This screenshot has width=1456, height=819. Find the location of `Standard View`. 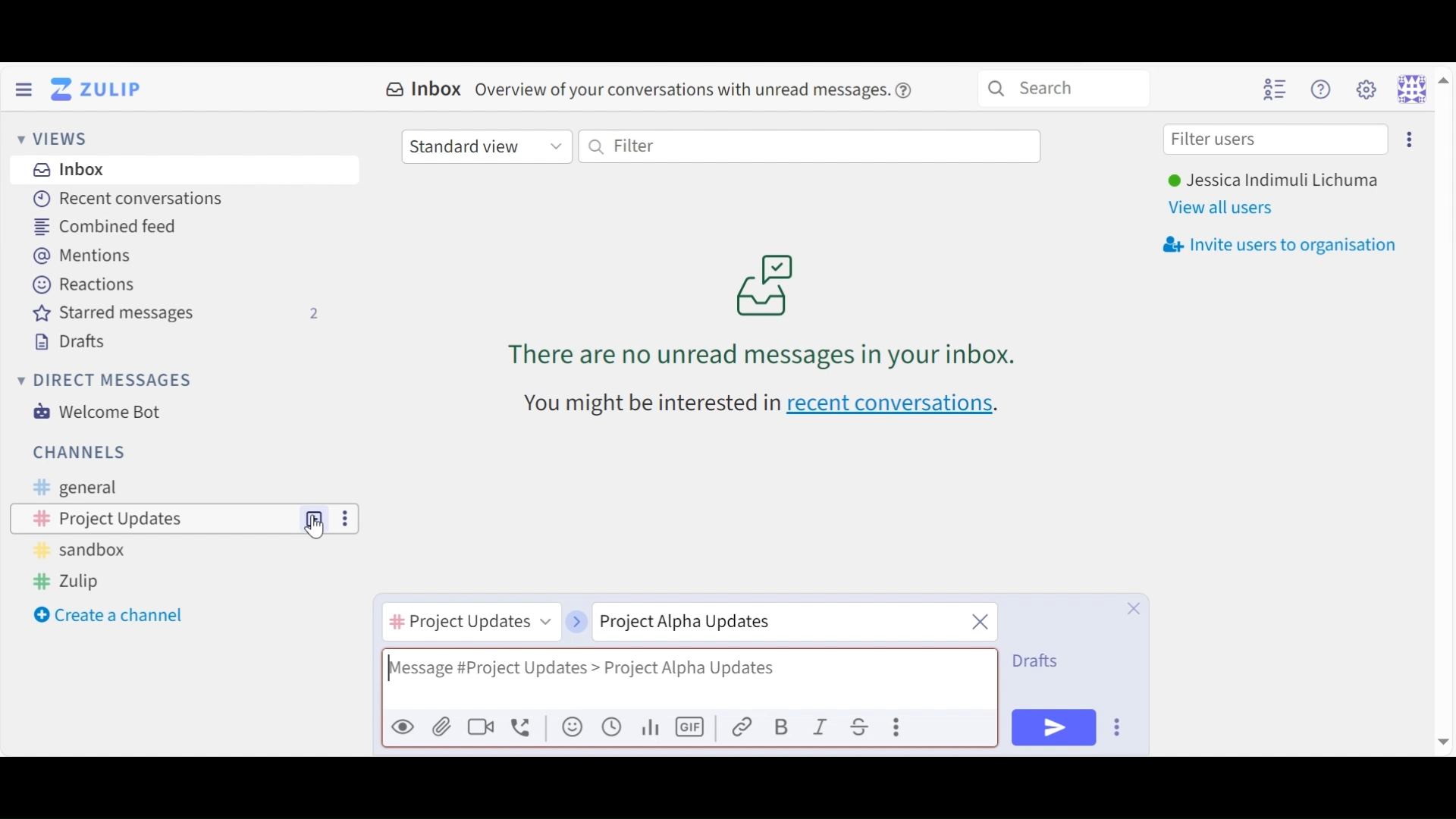

Standard View is located at coordinates (485, 148).